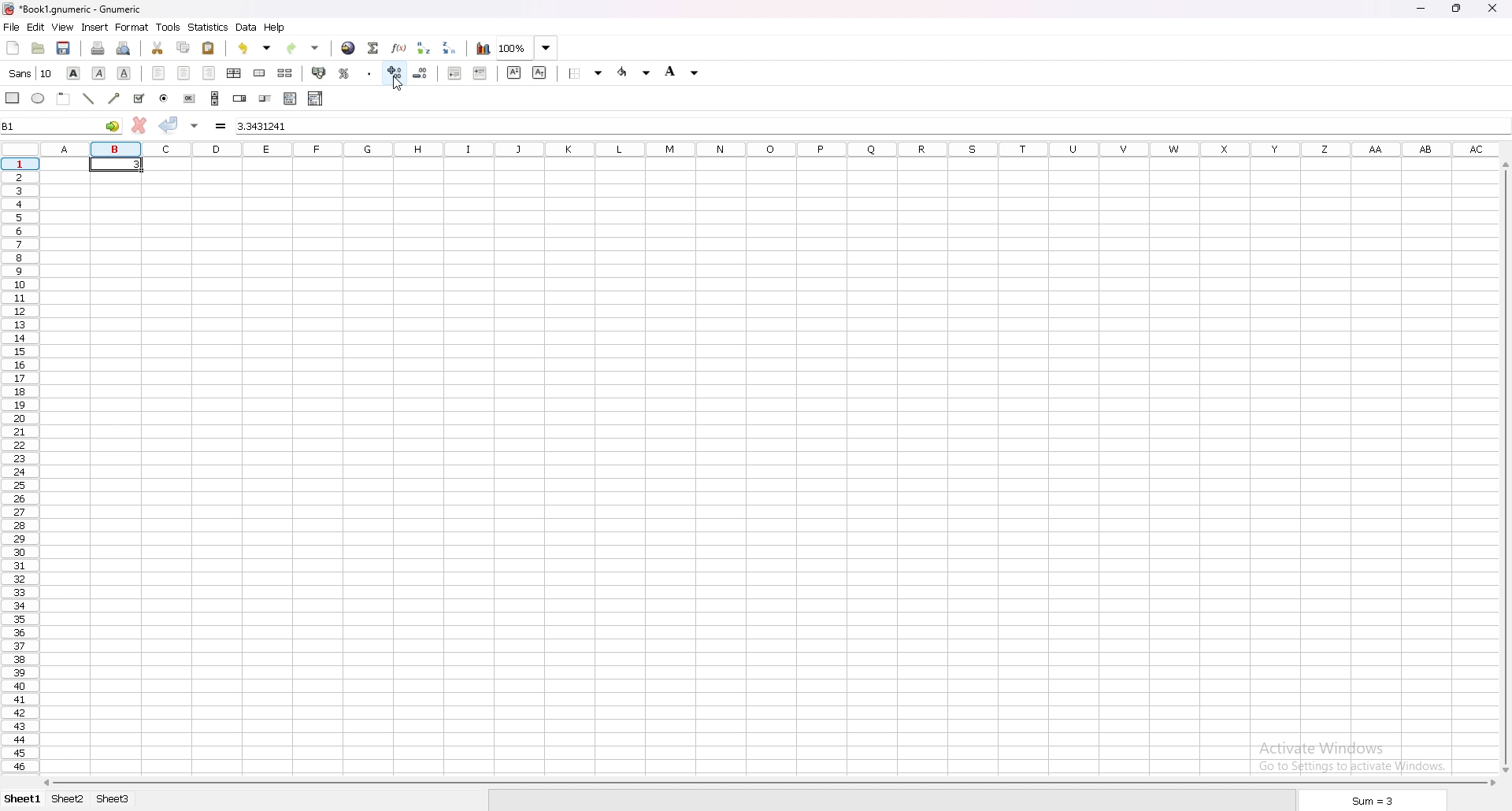  Describe the element at coordinates (1458, 8) in the screenshot. I see `resize` at that location.